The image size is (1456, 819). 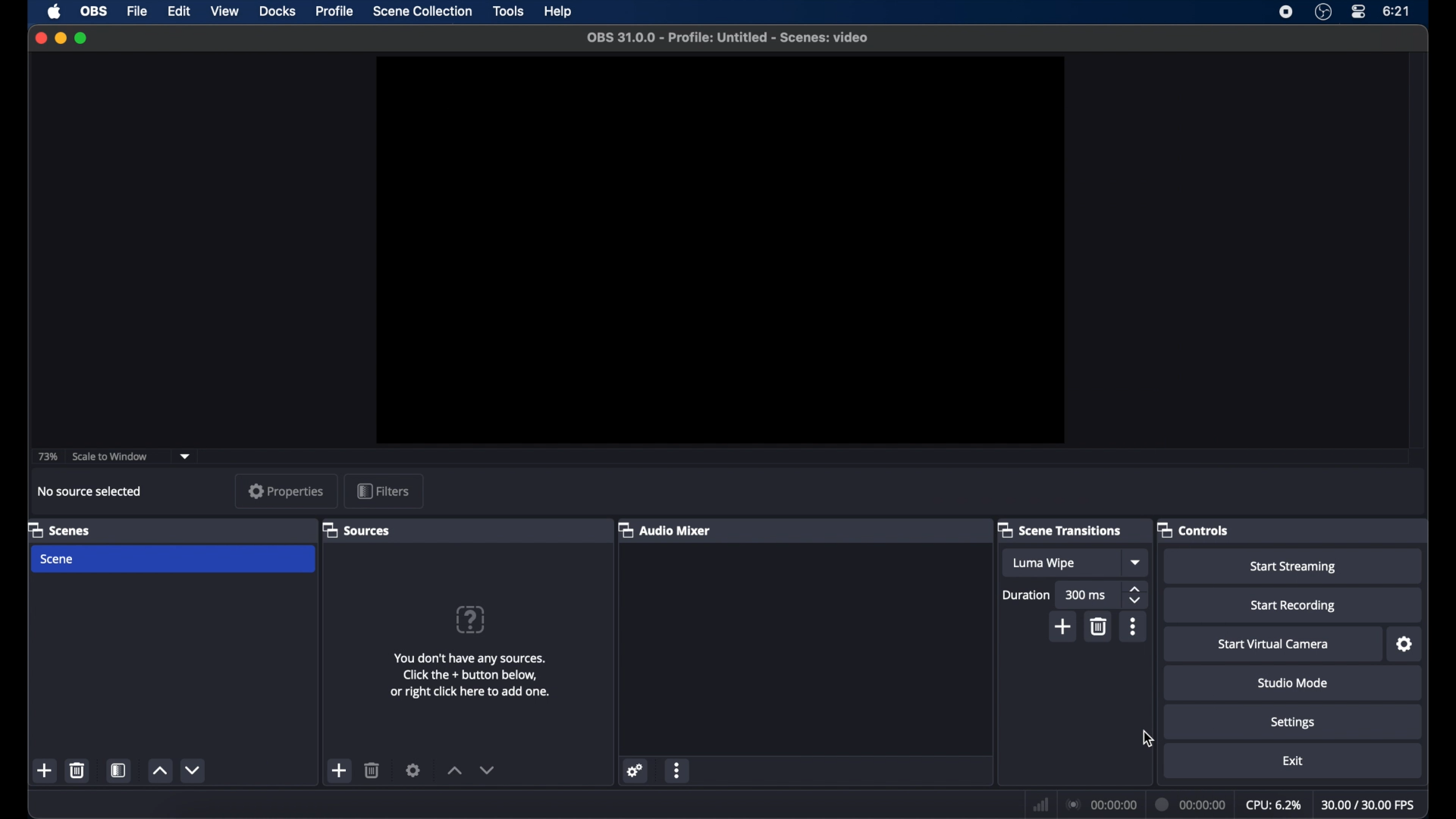 I want to click on no source selected, so click(x=90, y=491).